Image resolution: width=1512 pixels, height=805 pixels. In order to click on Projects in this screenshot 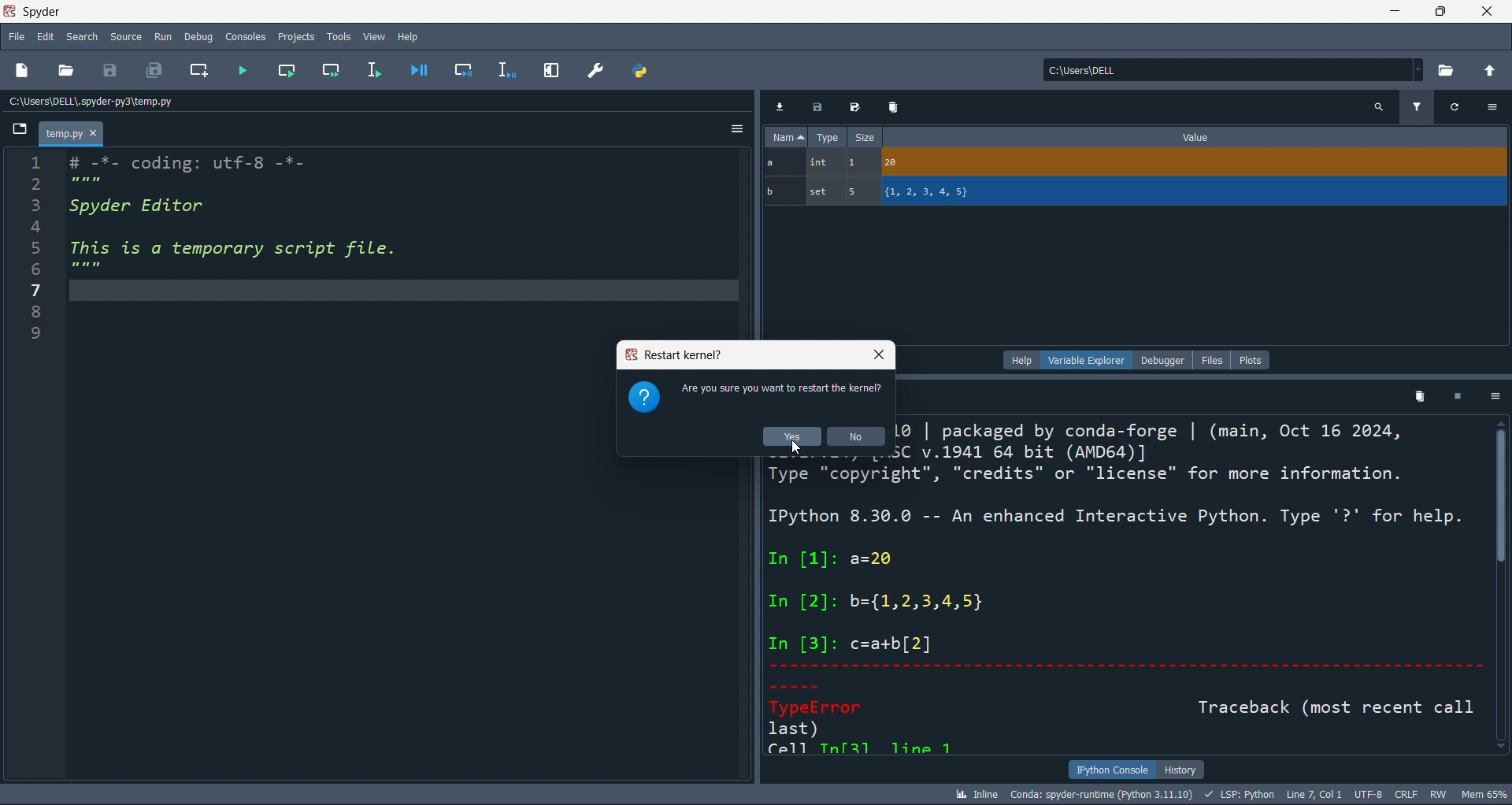, I will do `click(298, 37)`.